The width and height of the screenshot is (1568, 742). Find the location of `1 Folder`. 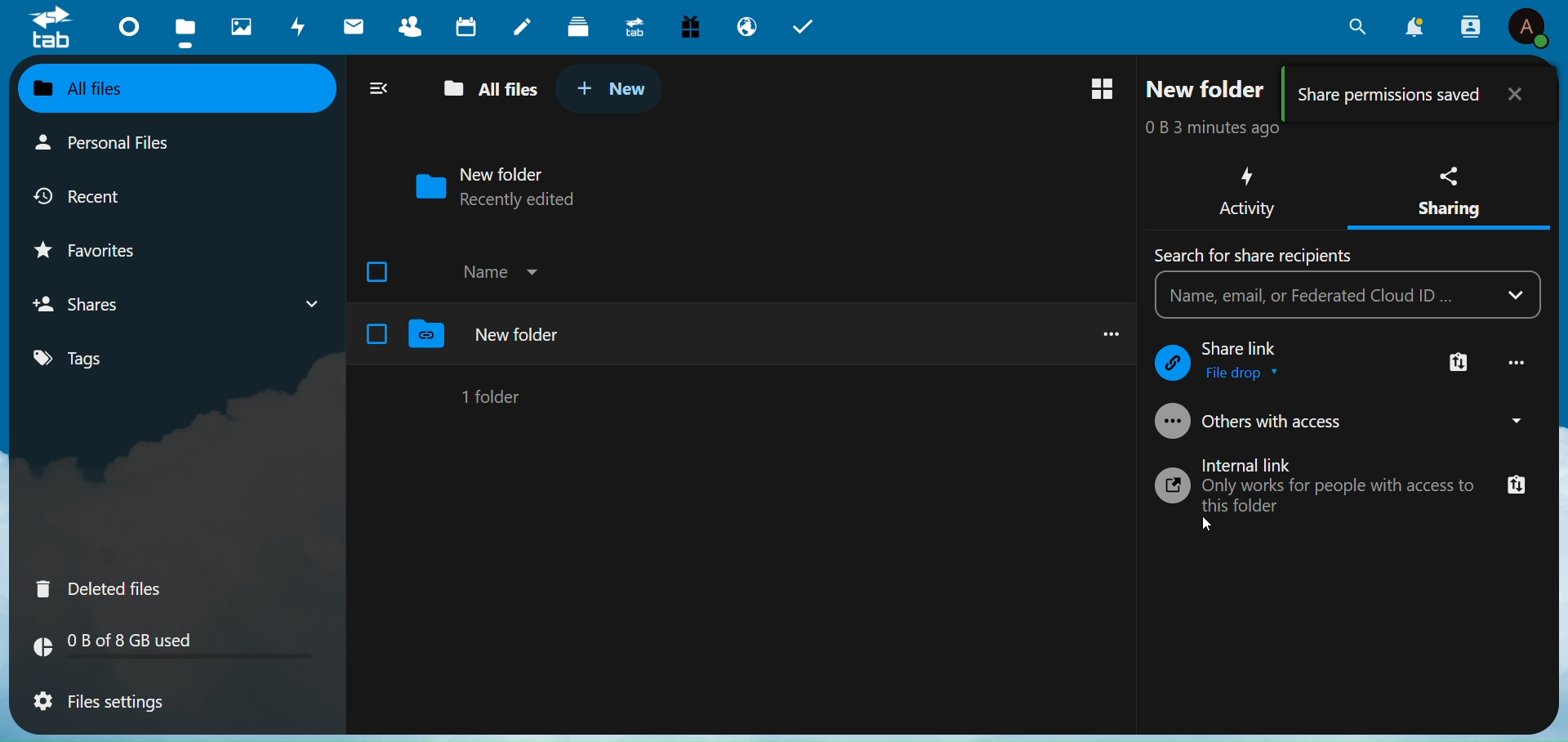

1 Folder is located at coordinates (495, 396).